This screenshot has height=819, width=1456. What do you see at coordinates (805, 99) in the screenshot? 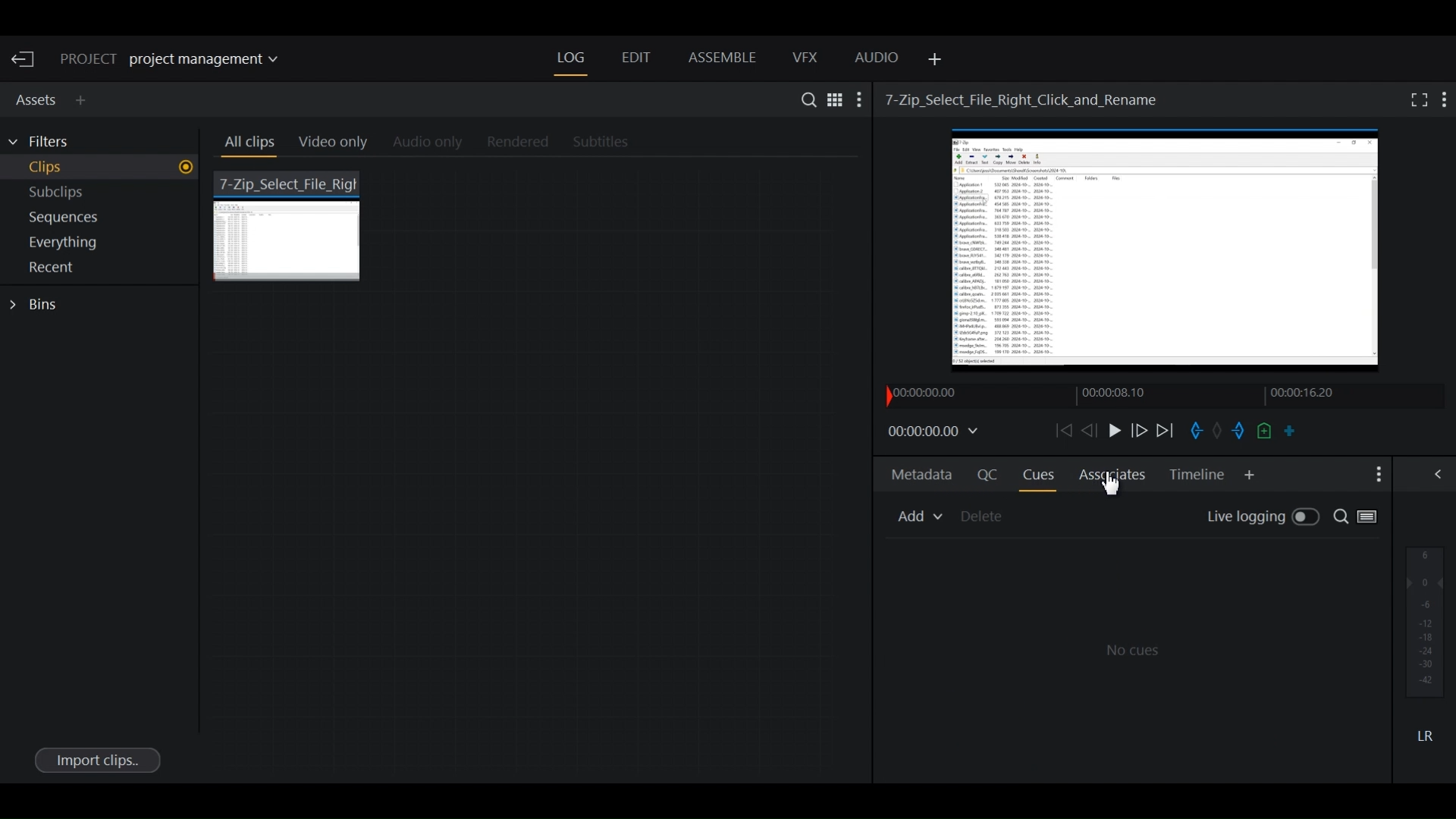
I see `Search in assets and Bins` at bounding box center [805, 99].